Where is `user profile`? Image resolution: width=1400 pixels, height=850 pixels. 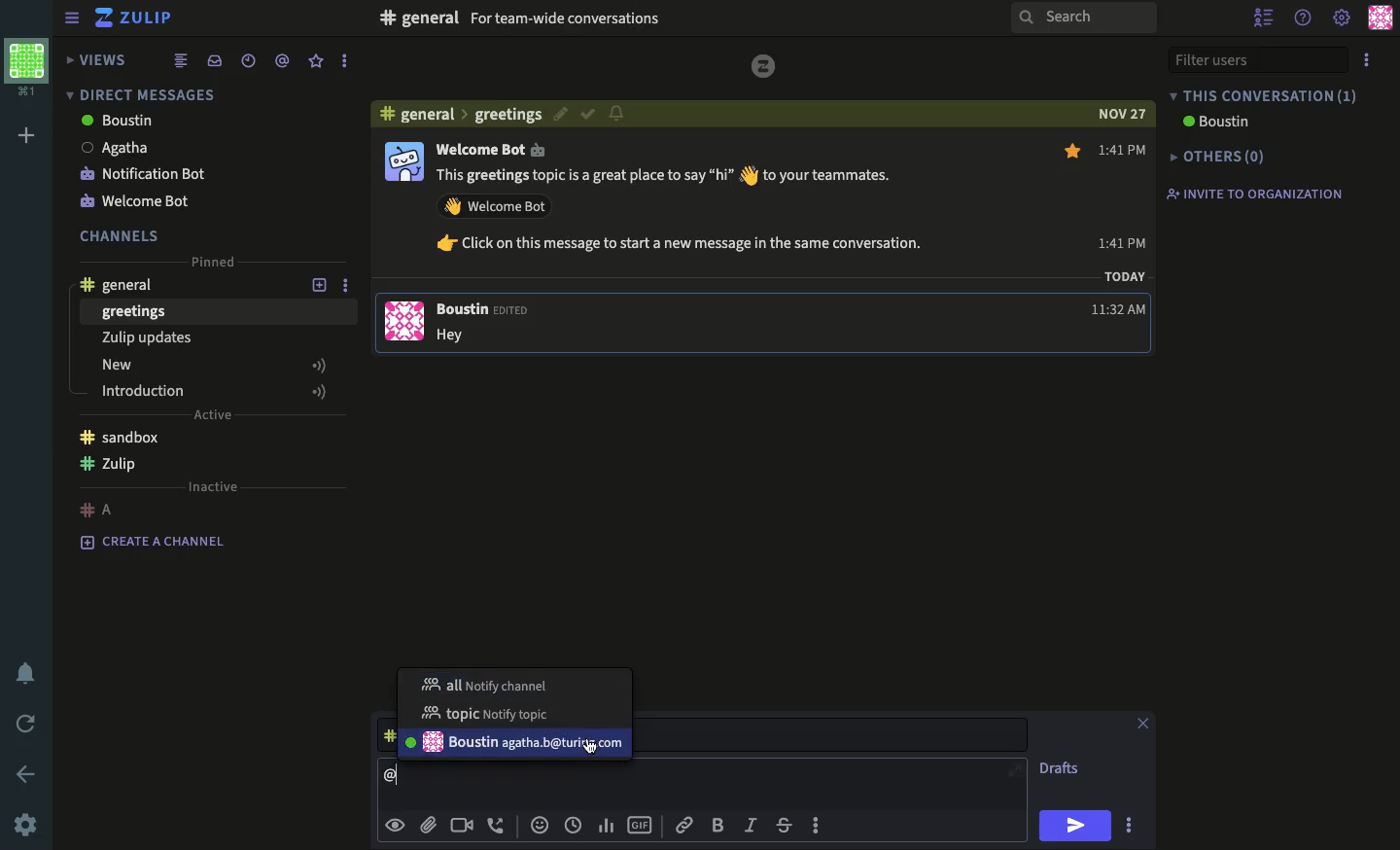 user profile is located at coordinates (403, 239).